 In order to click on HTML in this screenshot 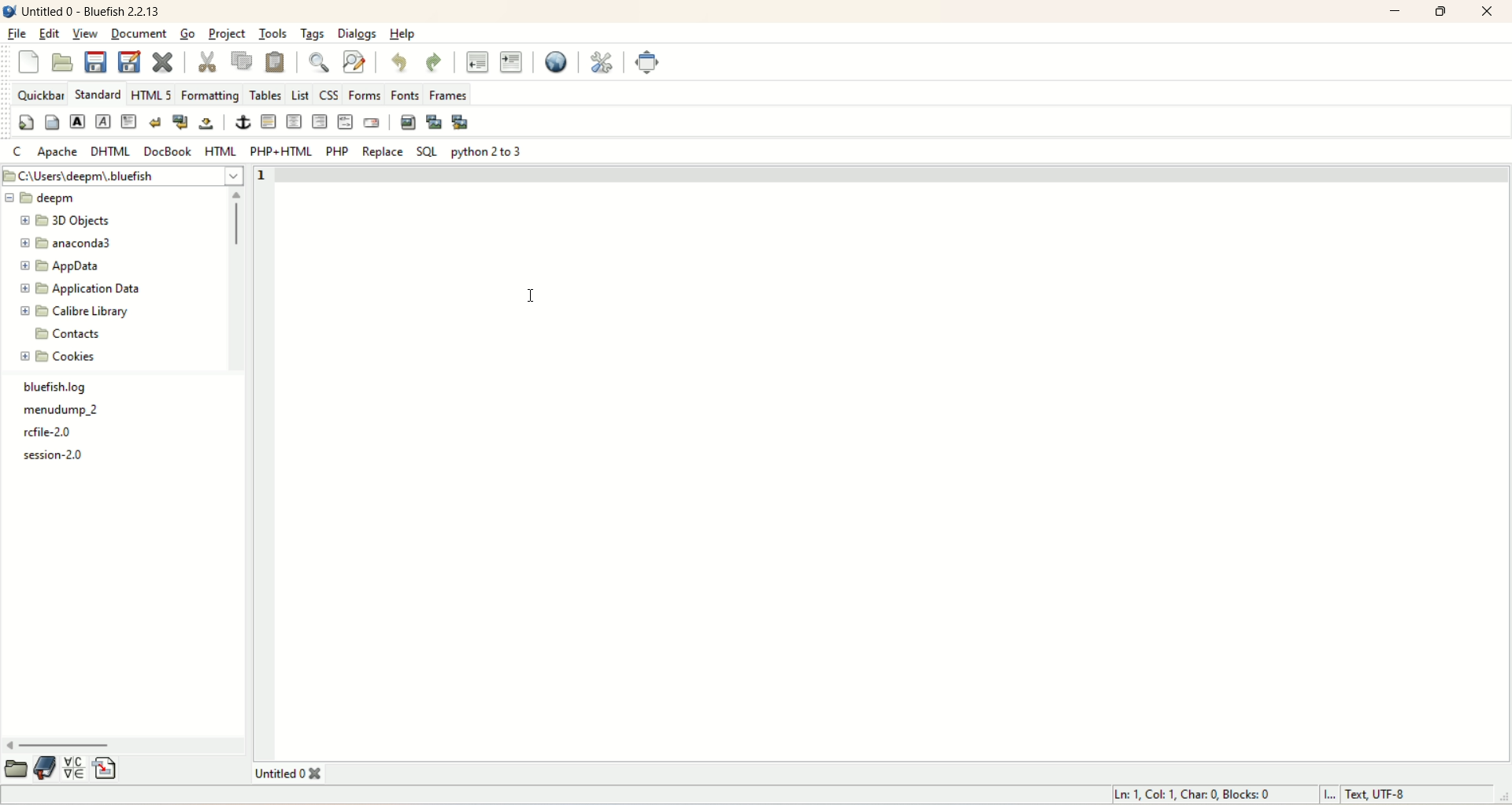, I will do `click(220, 151)`.